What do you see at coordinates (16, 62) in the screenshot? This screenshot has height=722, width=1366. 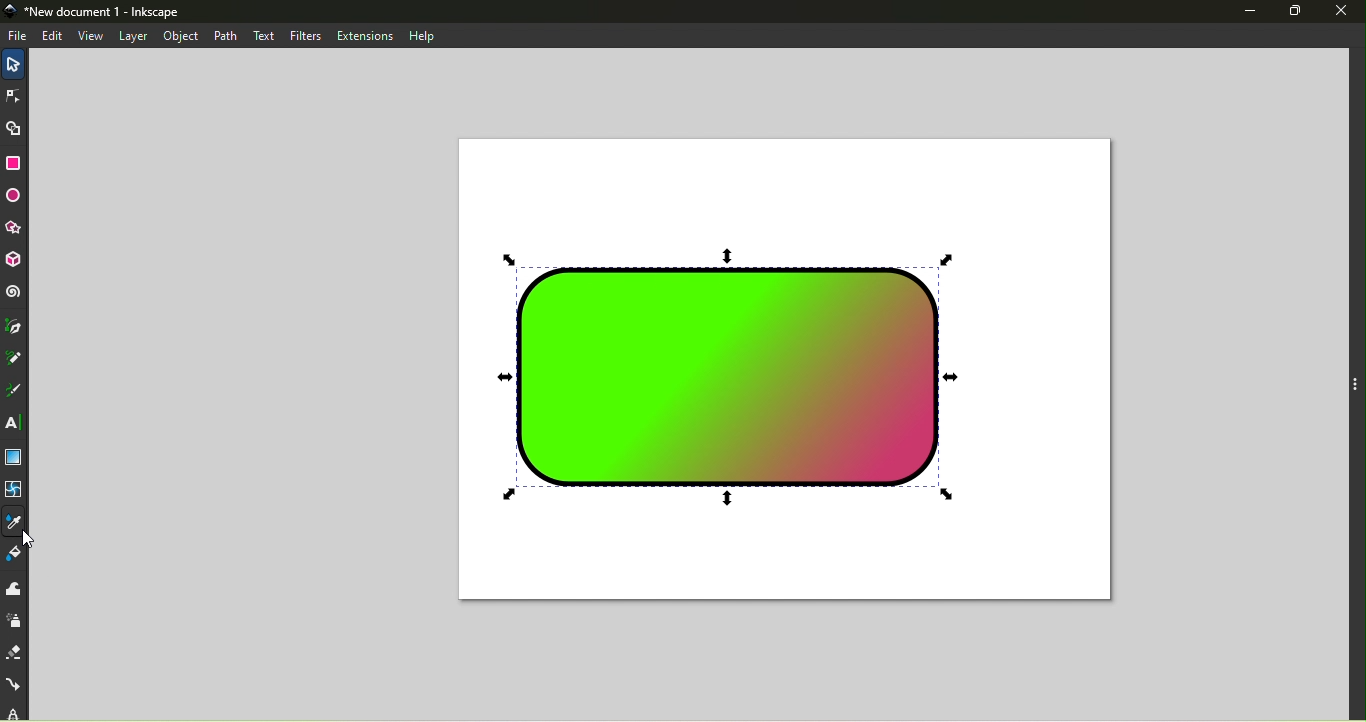 I see `Selector tool` at bounding box center [16, 62].